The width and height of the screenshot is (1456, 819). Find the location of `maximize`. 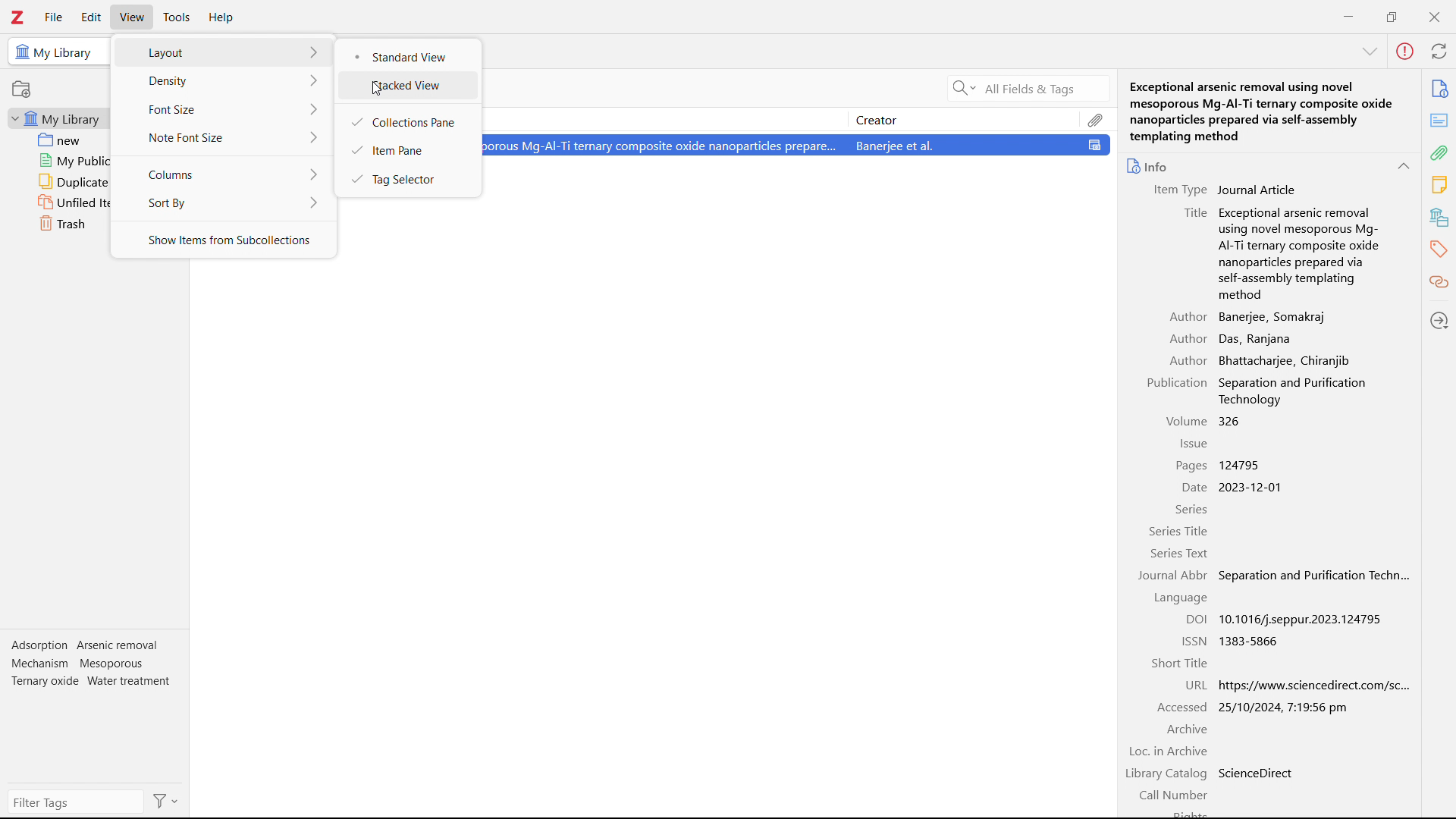

maximize is located at coordinates (1392, 15).